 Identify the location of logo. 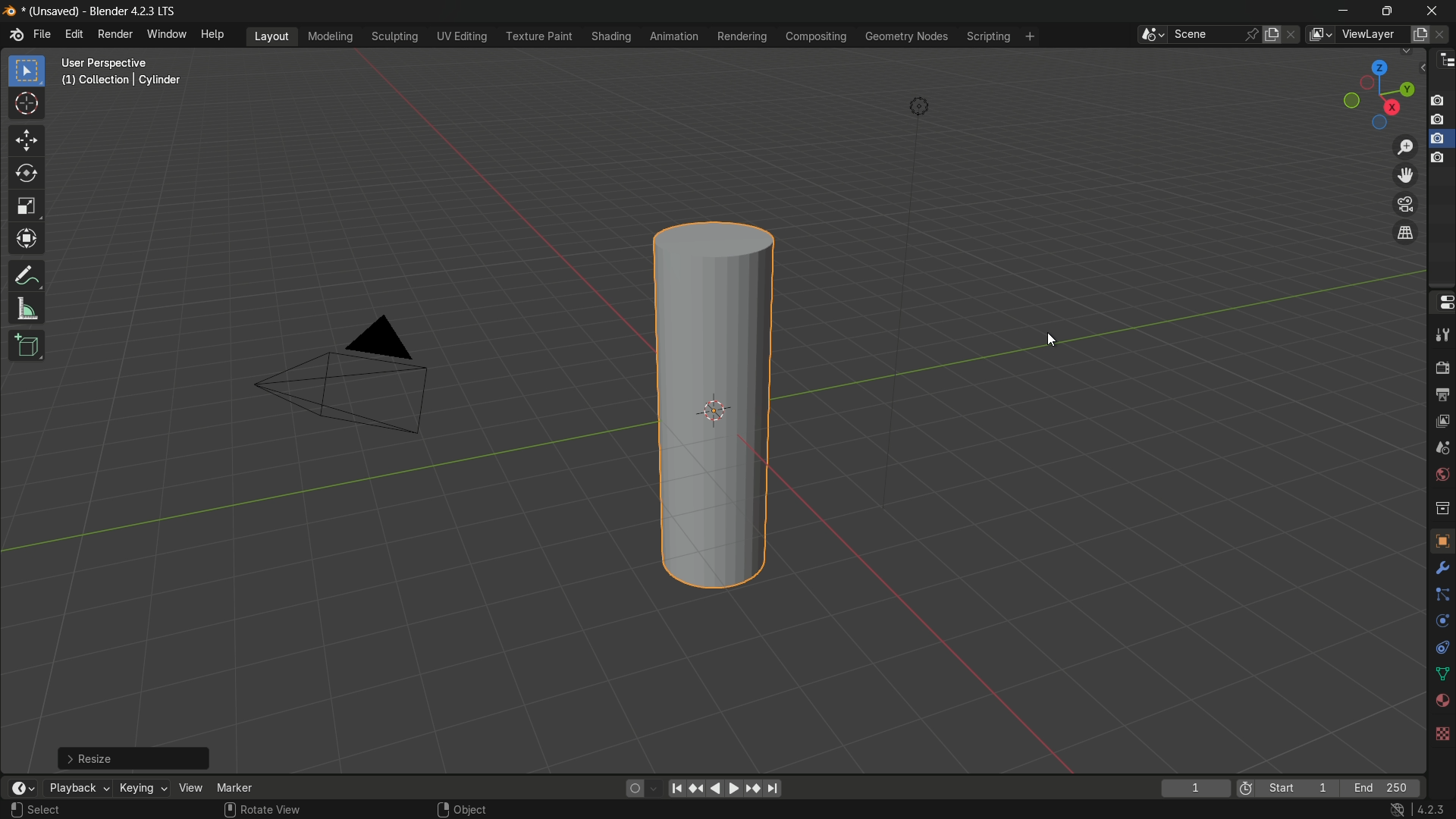
(11, 11).